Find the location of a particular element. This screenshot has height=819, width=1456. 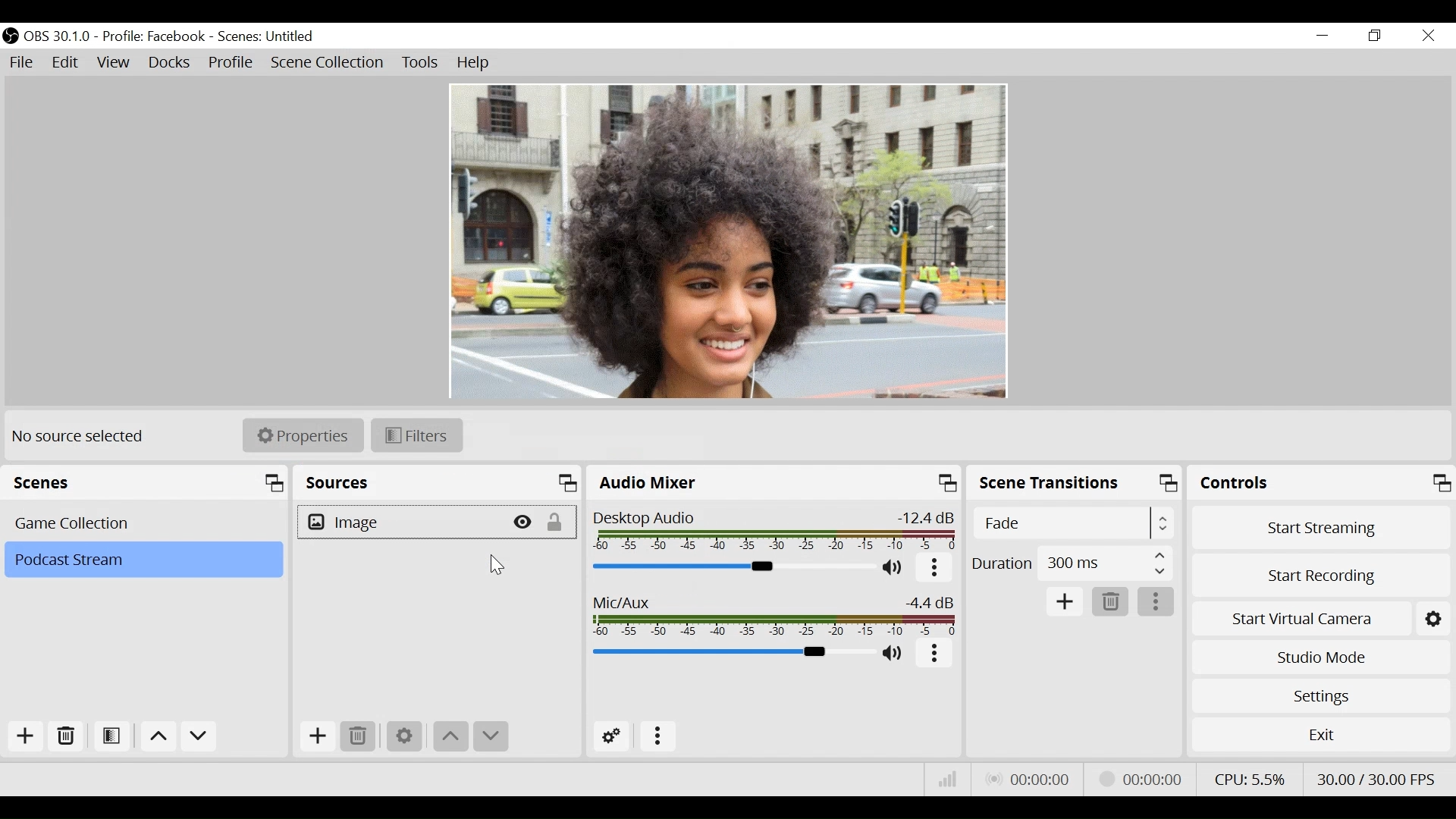

(un)mute is located at coordinates (897, 569).